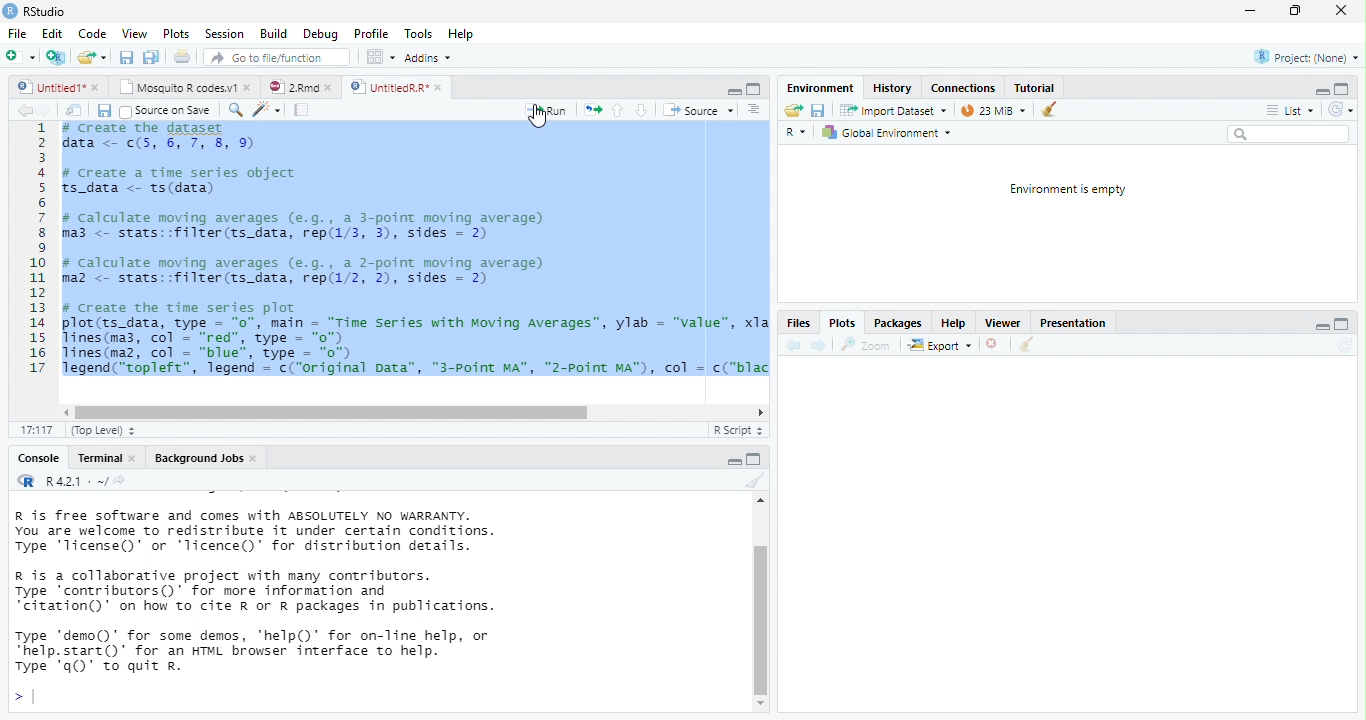 The image size is (1366, 720). What do you see at coordinates (735, 462) in the screenshot?
I see `maximize` at bounding box center [735, 462].